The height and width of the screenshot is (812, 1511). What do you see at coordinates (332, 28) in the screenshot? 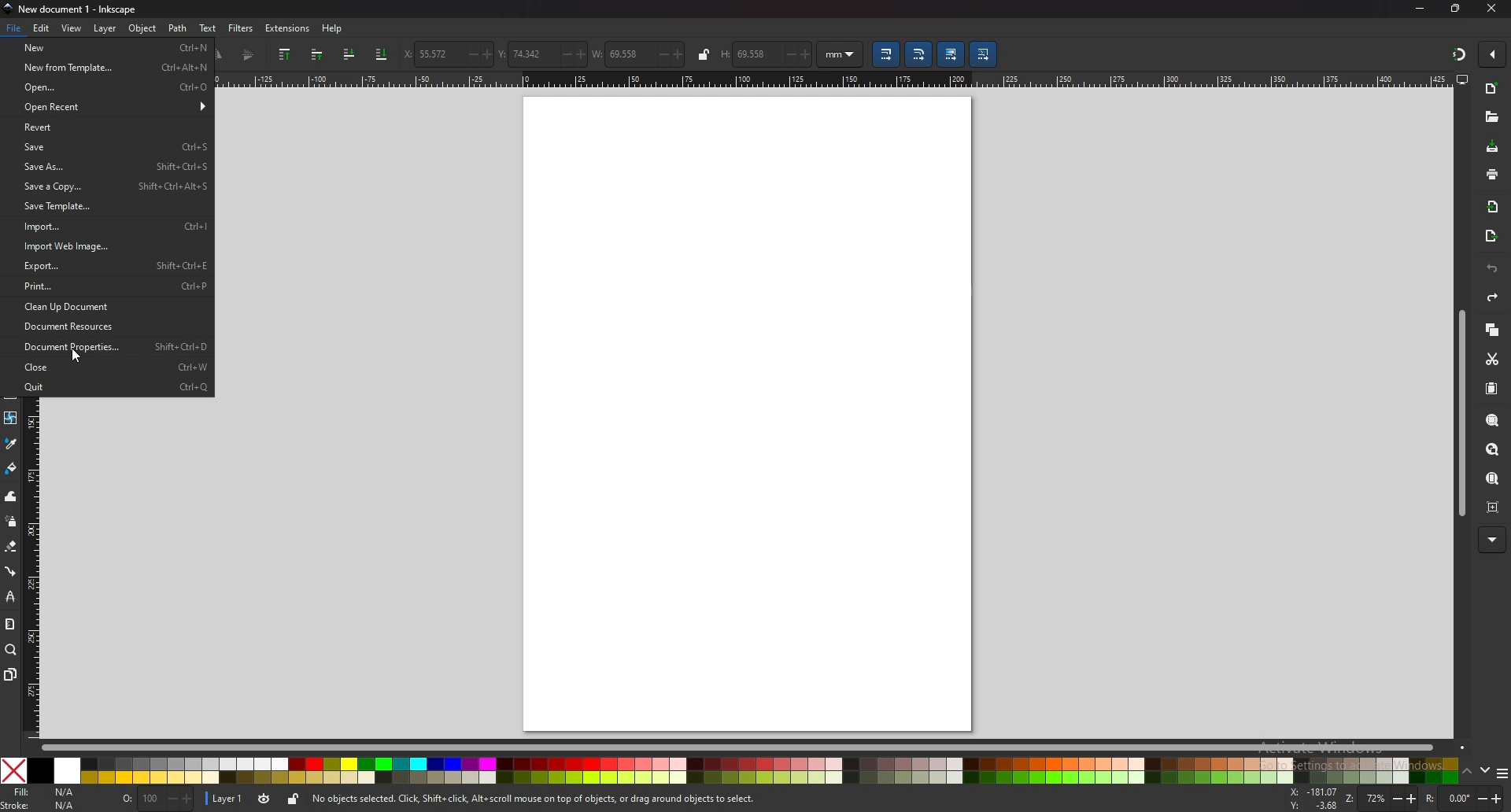
I see `Help` at bounding box center [332, 28].